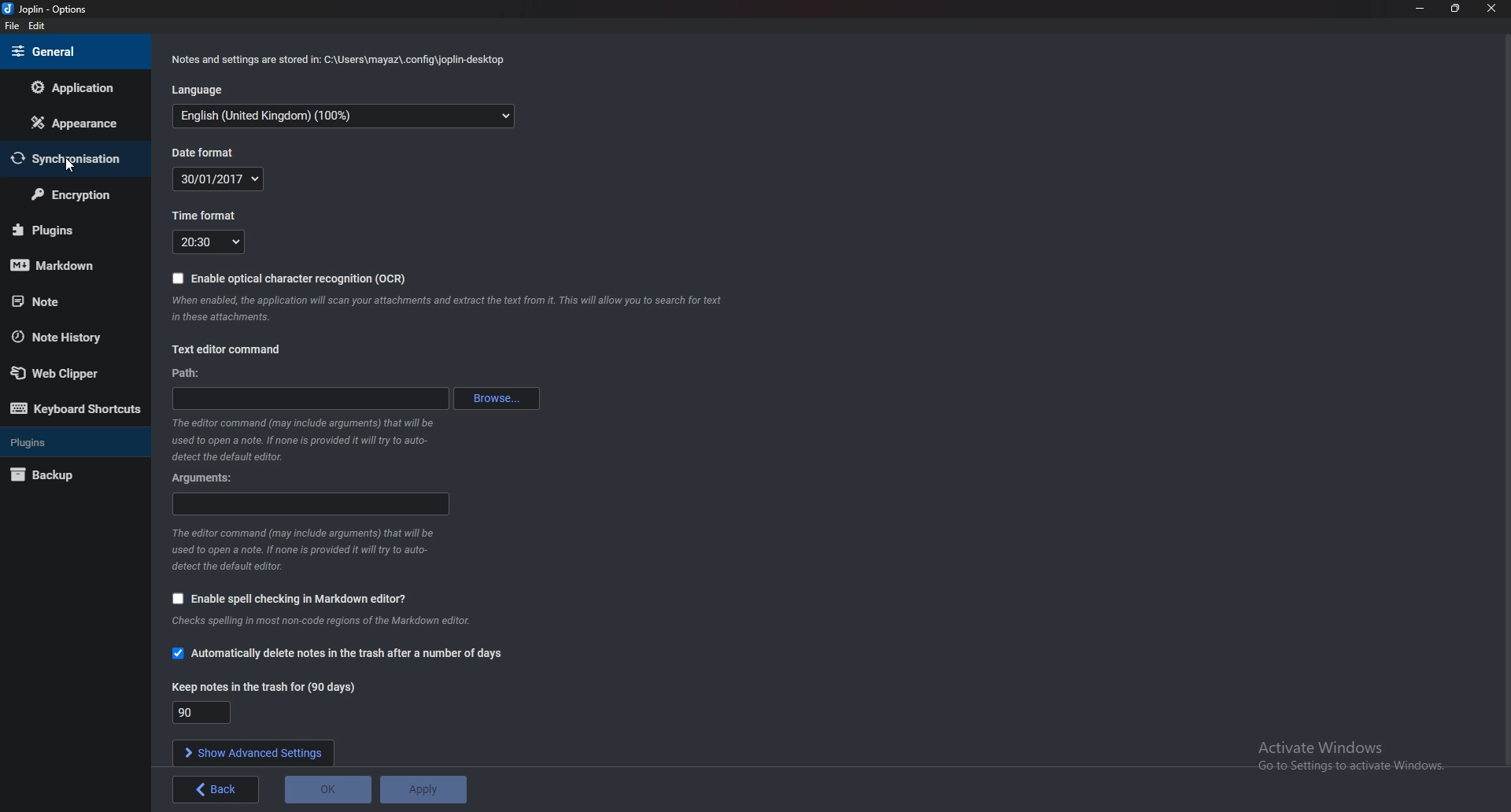  What do you see at coordinates (496, 398) in the screenshot?
I see `Browse` at bounding box center [496, 398].